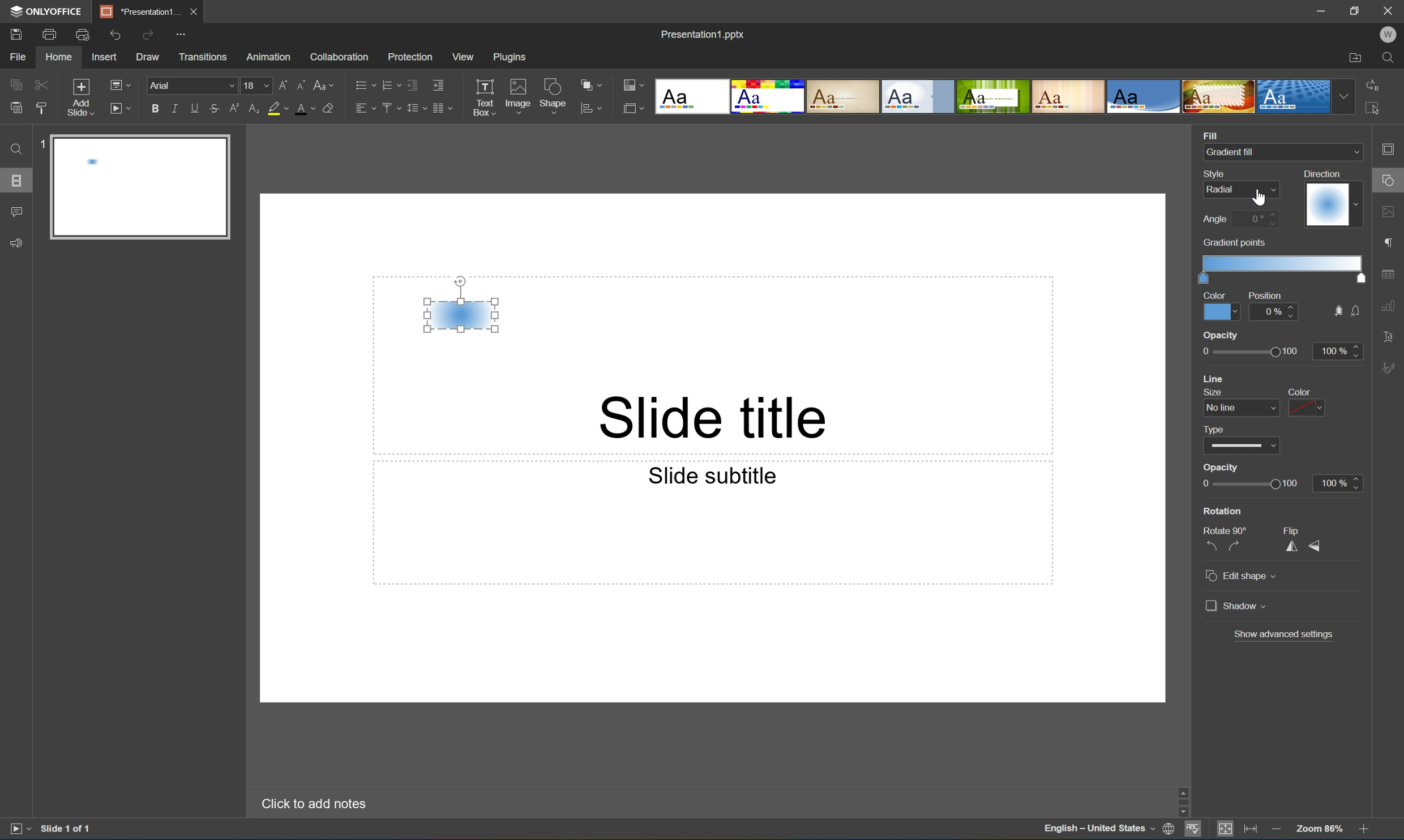  What do you see at coordinates (1316, 547) in the screenshot?
I see `Flip vertically` at bounding box center [1316, 547].